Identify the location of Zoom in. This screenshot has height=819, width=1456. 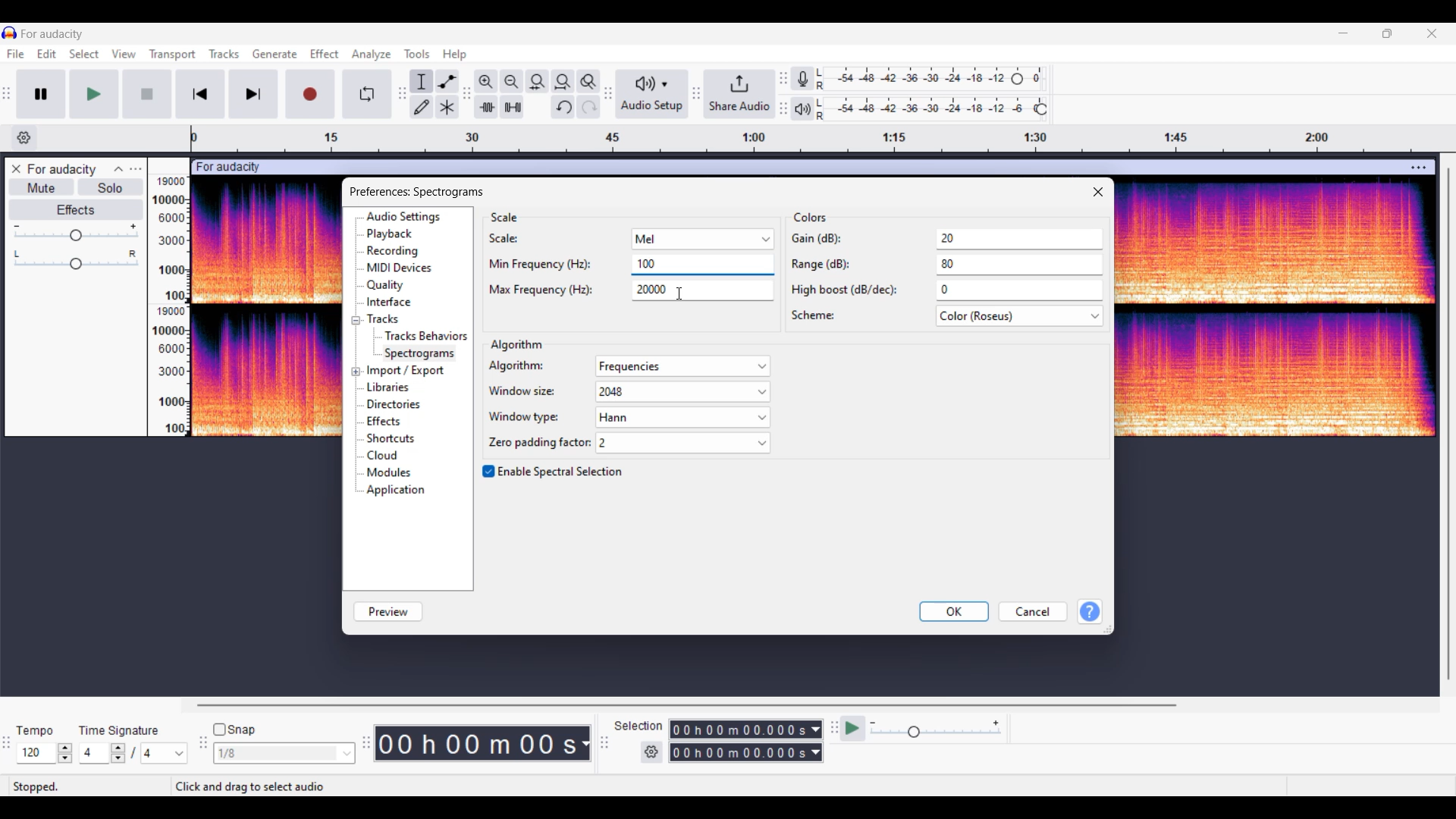
(487, 82).